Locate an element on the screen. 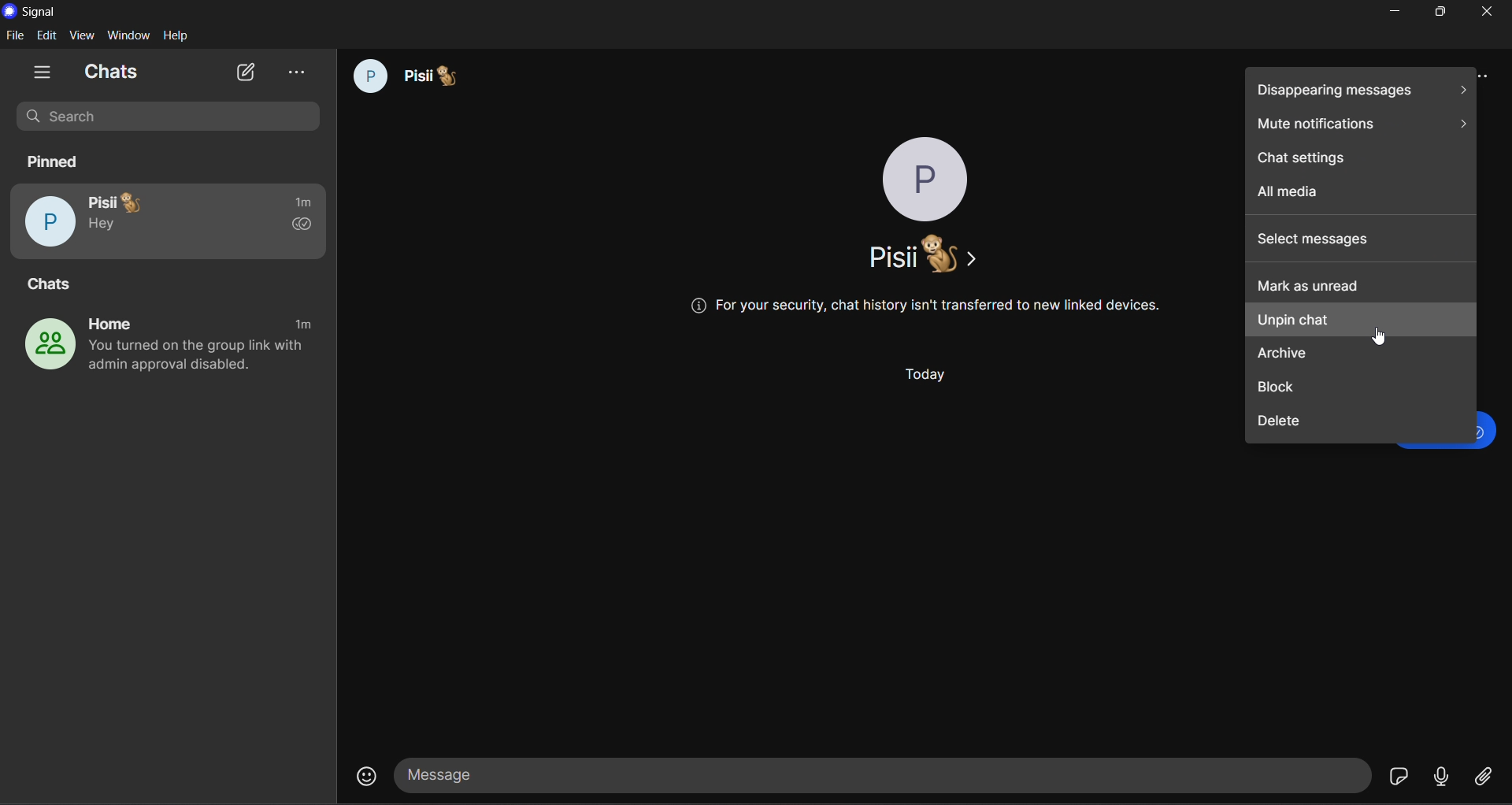 This screenshot has width=1512, height=805. unpin chat is located at coordinates (1361, 323).